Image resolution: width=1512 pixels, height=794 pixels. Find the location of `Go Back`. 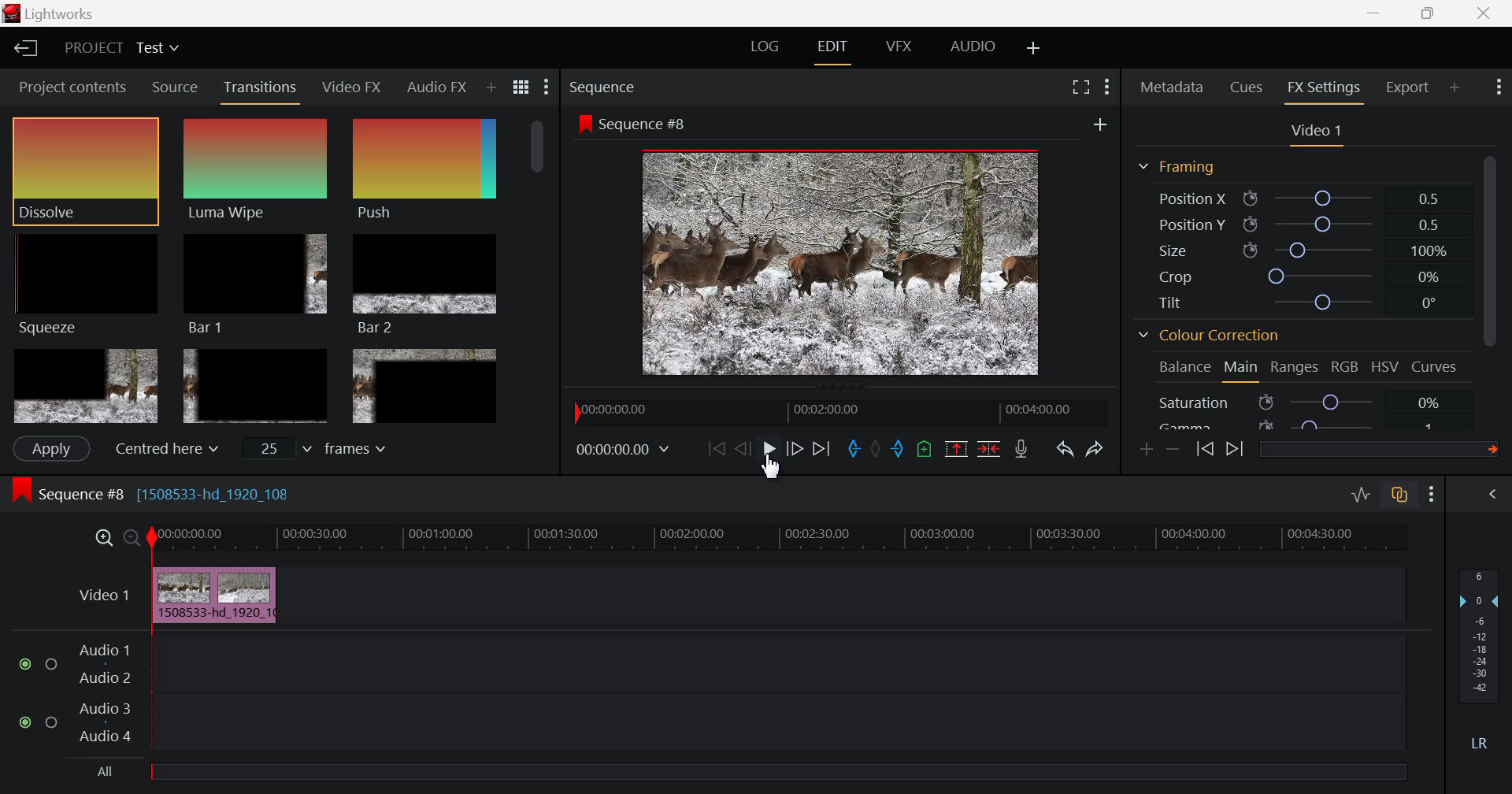

Go Back is located at coordinates (743, 449).